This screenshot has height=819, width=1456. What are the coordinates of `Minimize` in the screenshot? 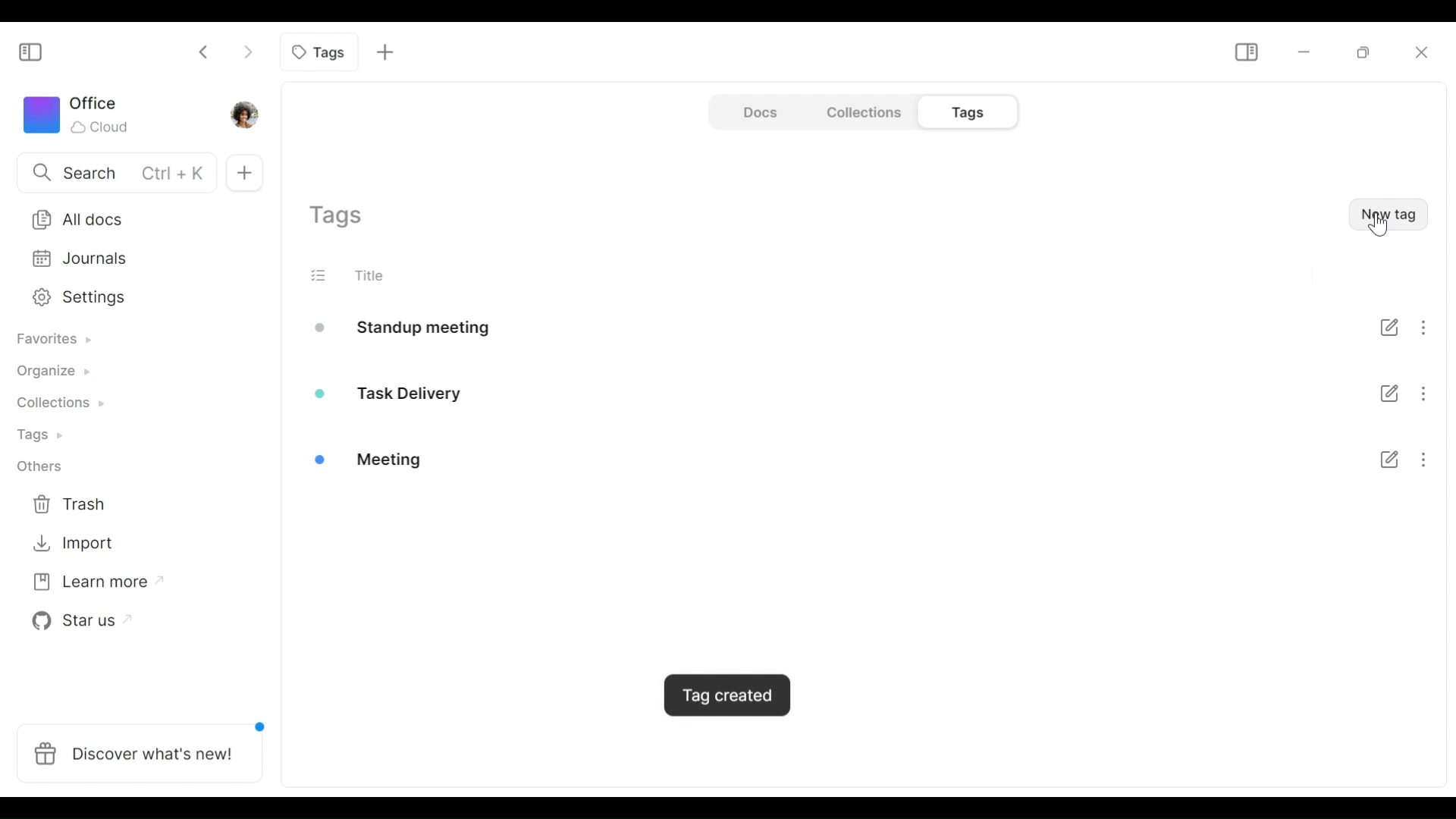 It's located at (1304, 53).